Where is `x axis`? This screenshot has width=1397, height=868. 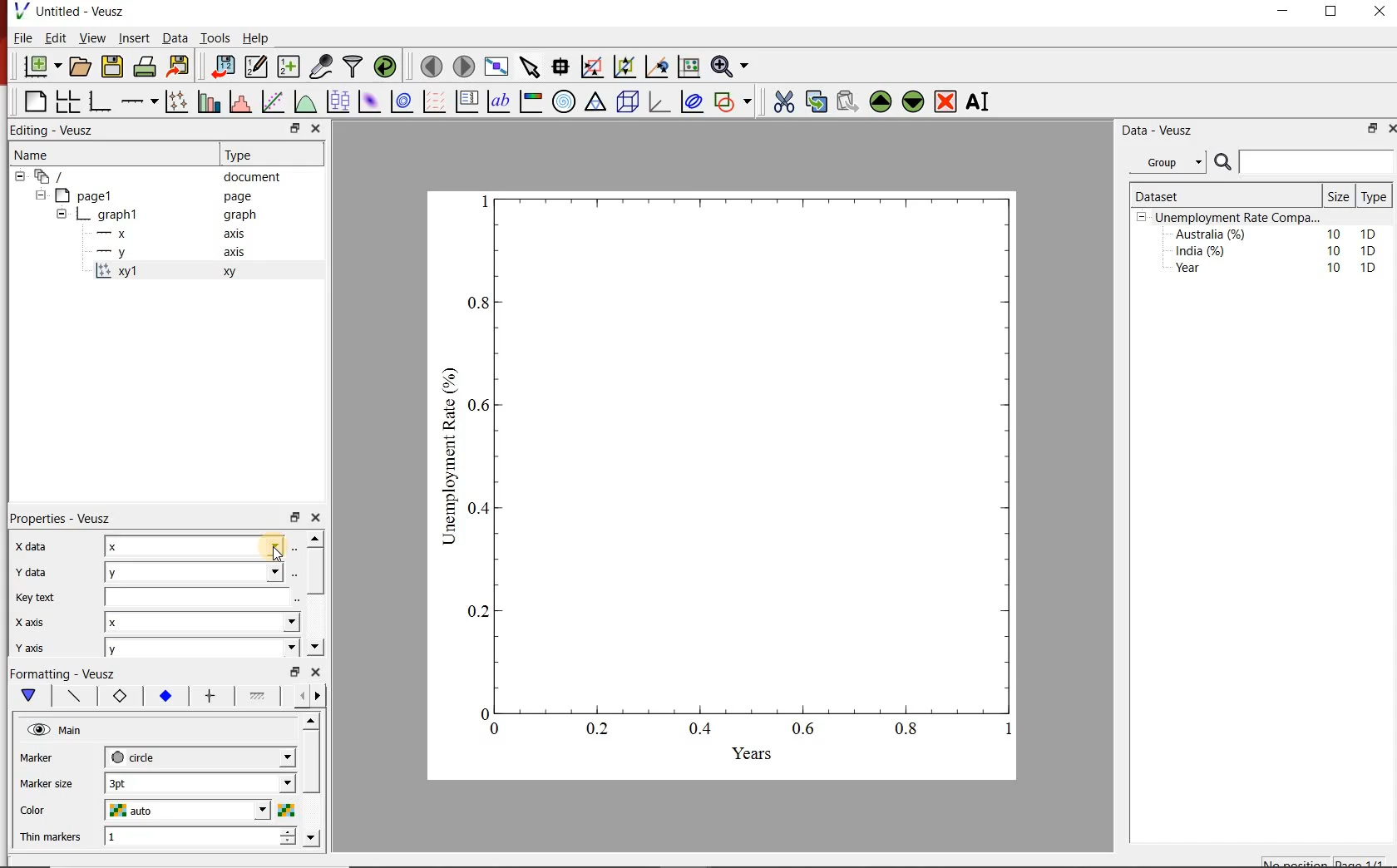 x axis is located at coordinates (31, 622).